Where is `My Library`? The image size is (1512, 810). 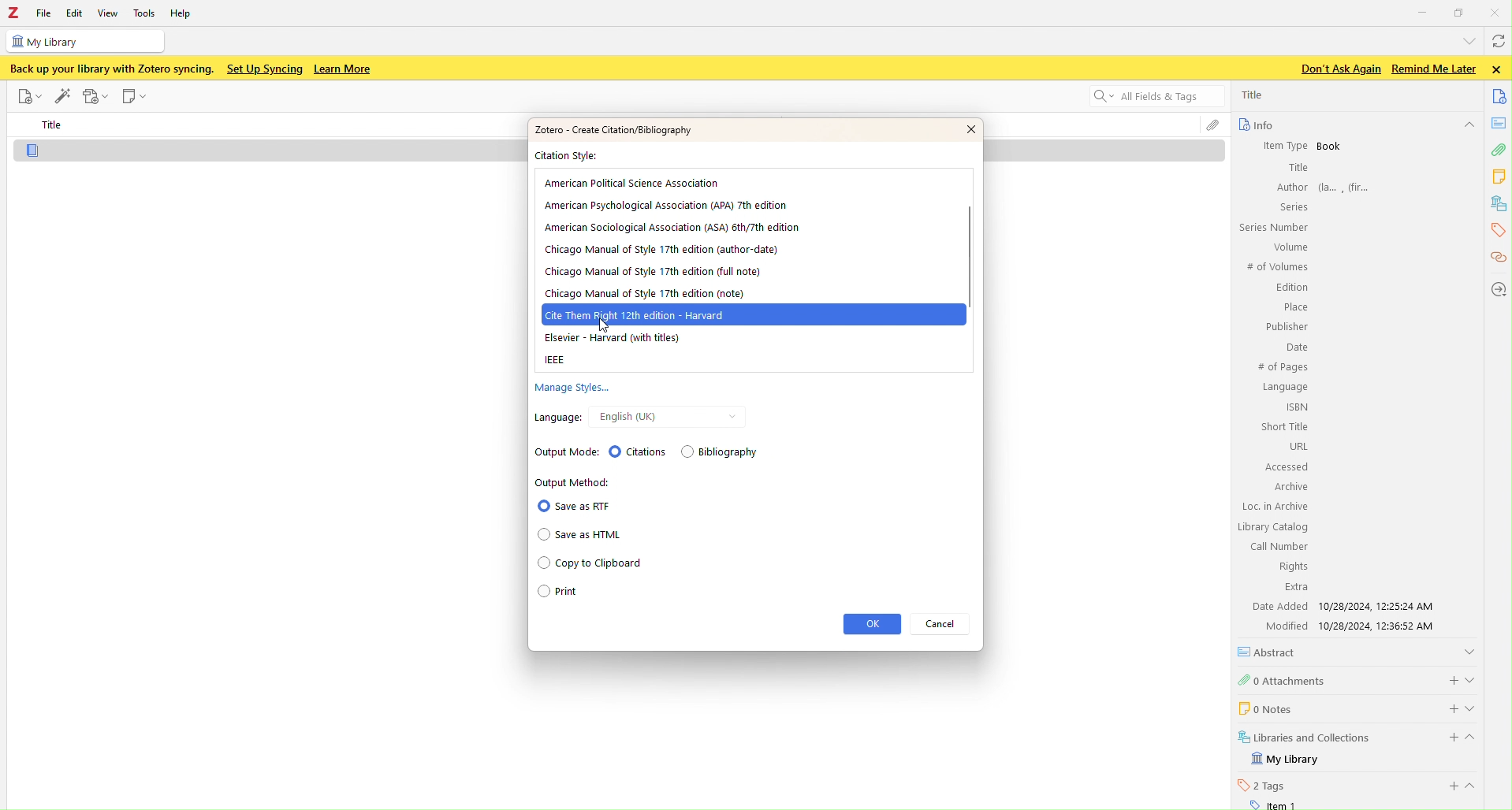 My Library is located at coordinates (84, 41).